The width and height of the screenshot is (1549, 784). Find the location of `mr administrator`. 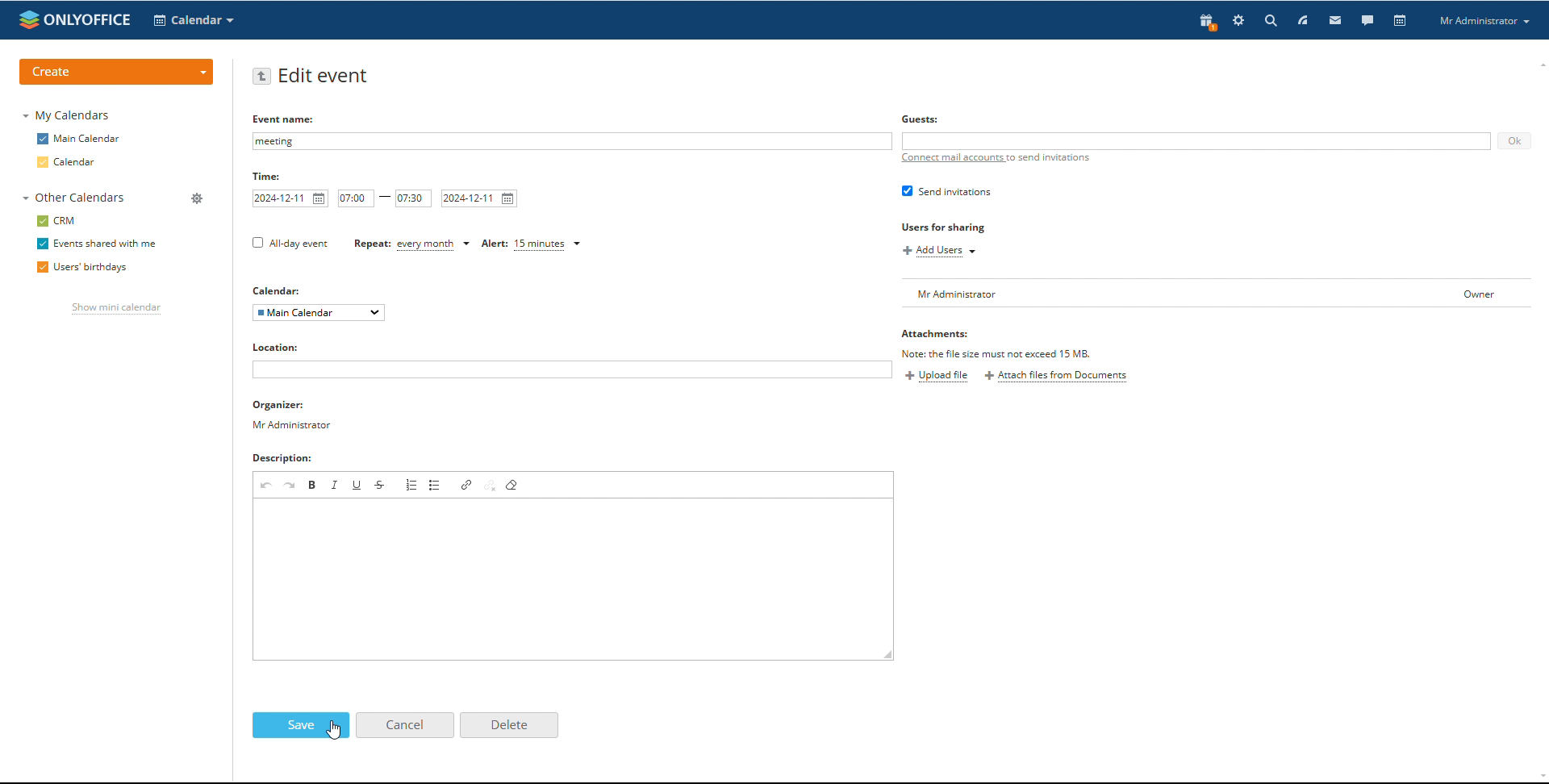

mr administrator is located at coordinates (297, 428).